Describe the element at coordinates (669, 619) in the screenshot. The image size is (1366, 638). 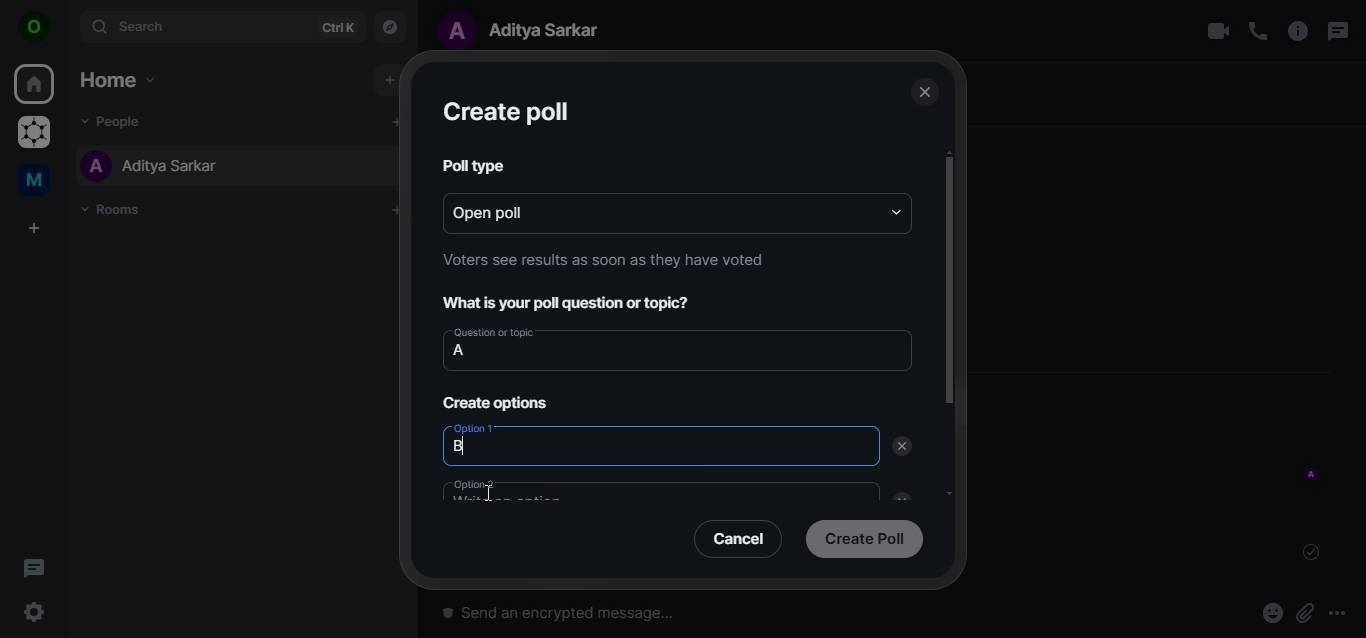
I see `send an encrypted message` at that location.